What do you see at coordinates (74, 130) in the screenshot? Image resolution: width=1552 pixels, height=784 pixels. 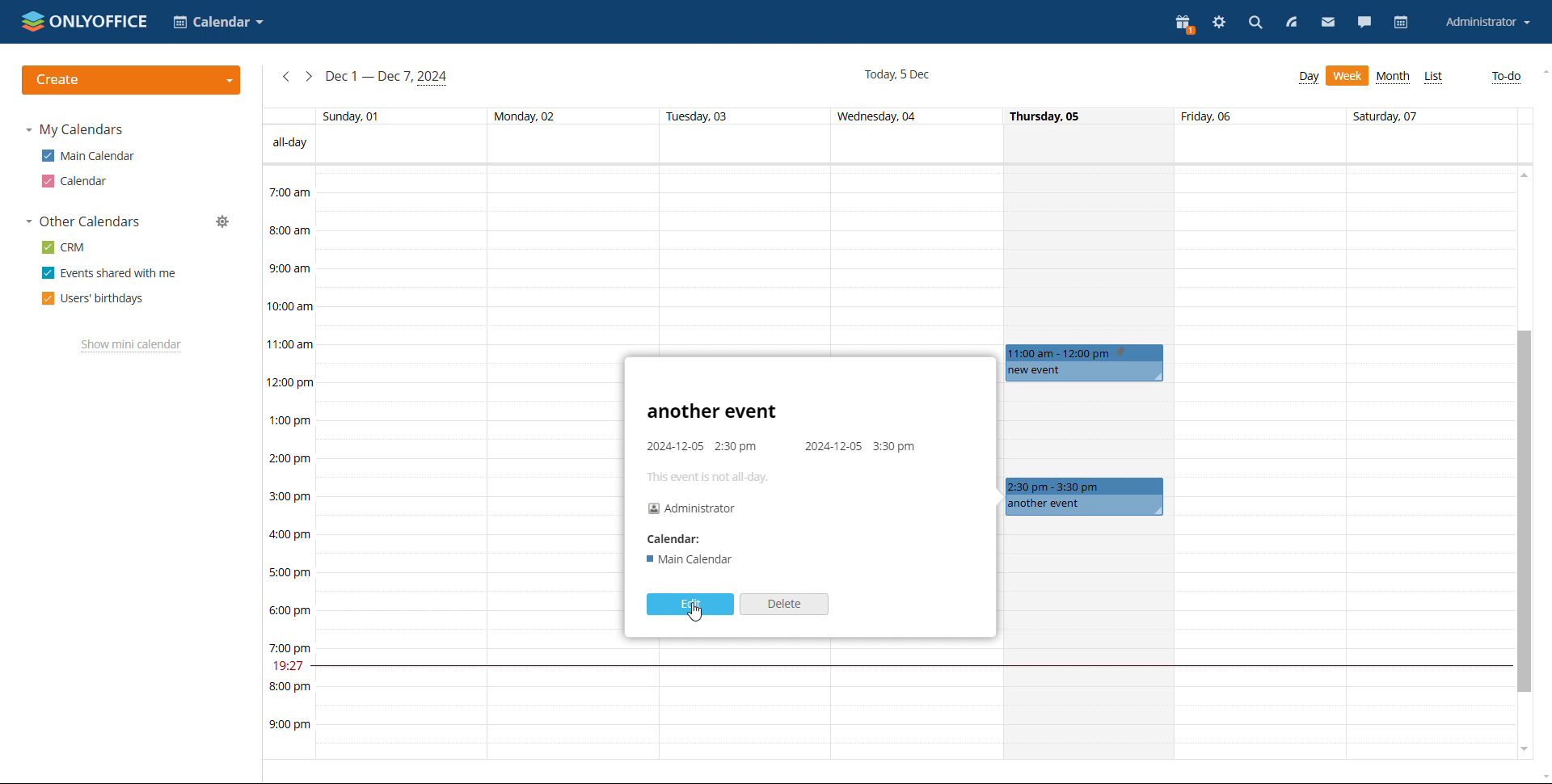 I see `my calendars` at bounding box center [74, 130].